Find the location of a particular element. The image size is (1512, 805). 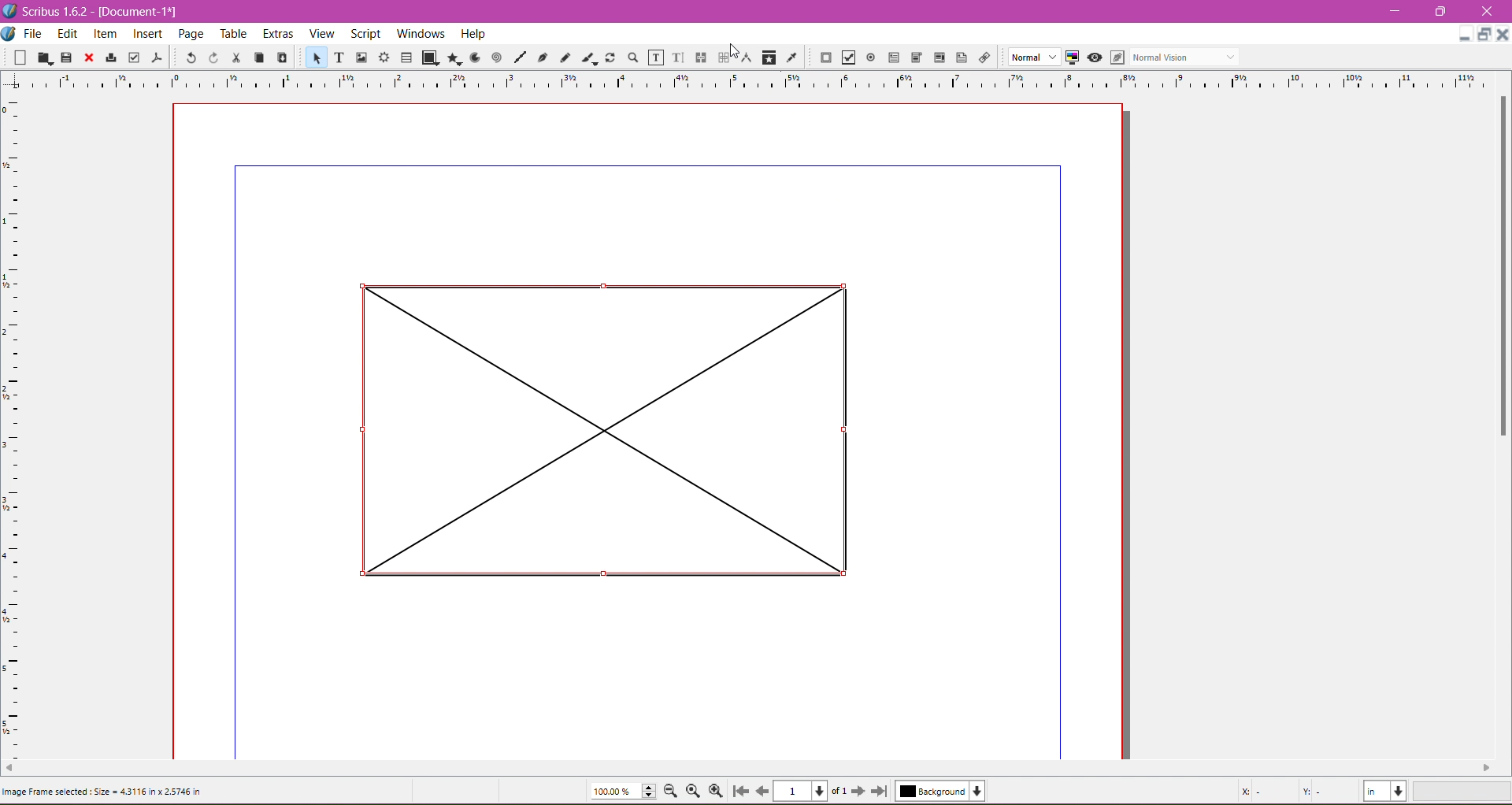

Current Zoom Level is located at coordinates (624, 791).